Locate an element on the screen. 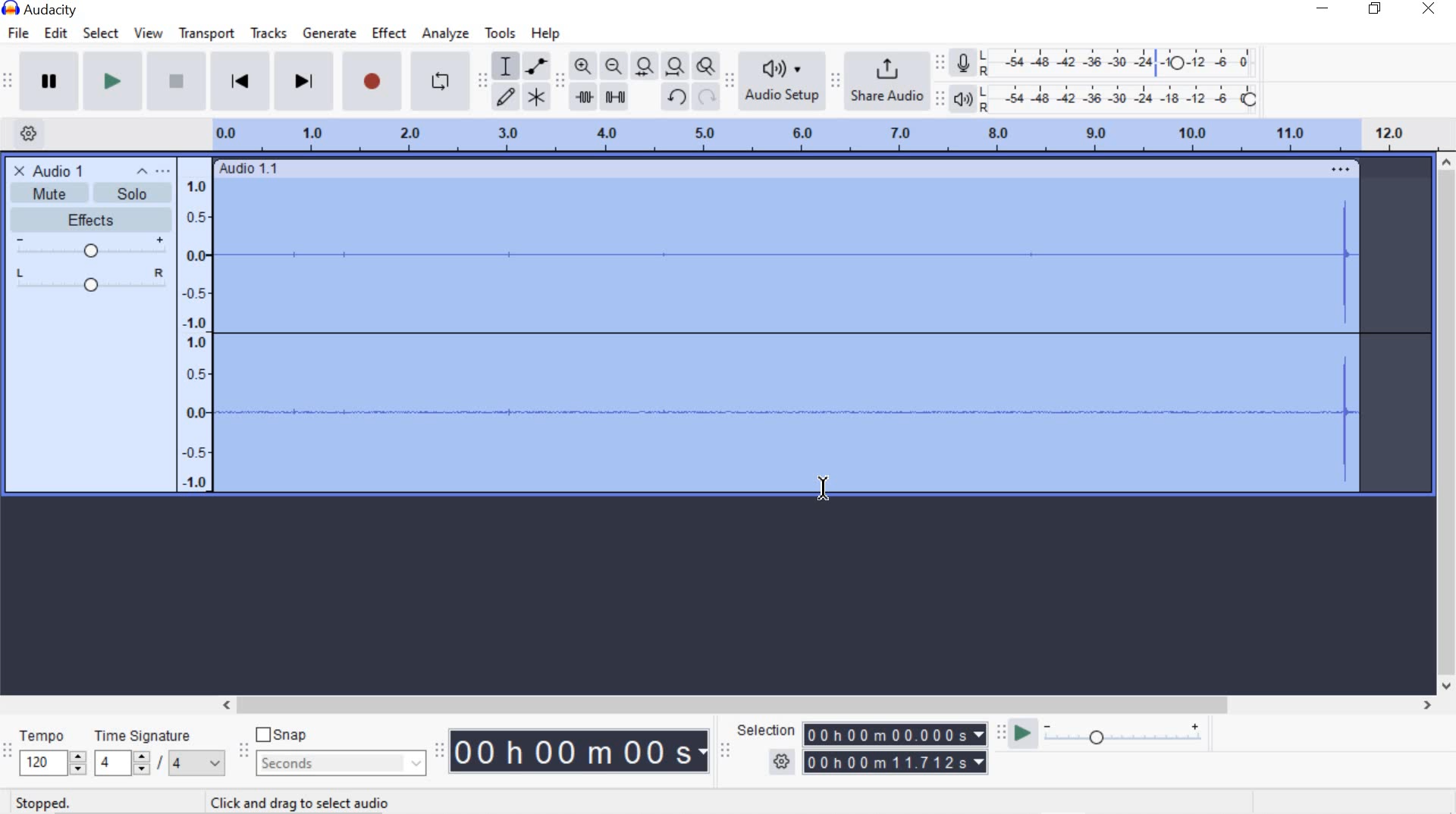 Image resolution: width=1456 pixels, height=814 pixels. Timeline option is located at coordinates (23, 132).